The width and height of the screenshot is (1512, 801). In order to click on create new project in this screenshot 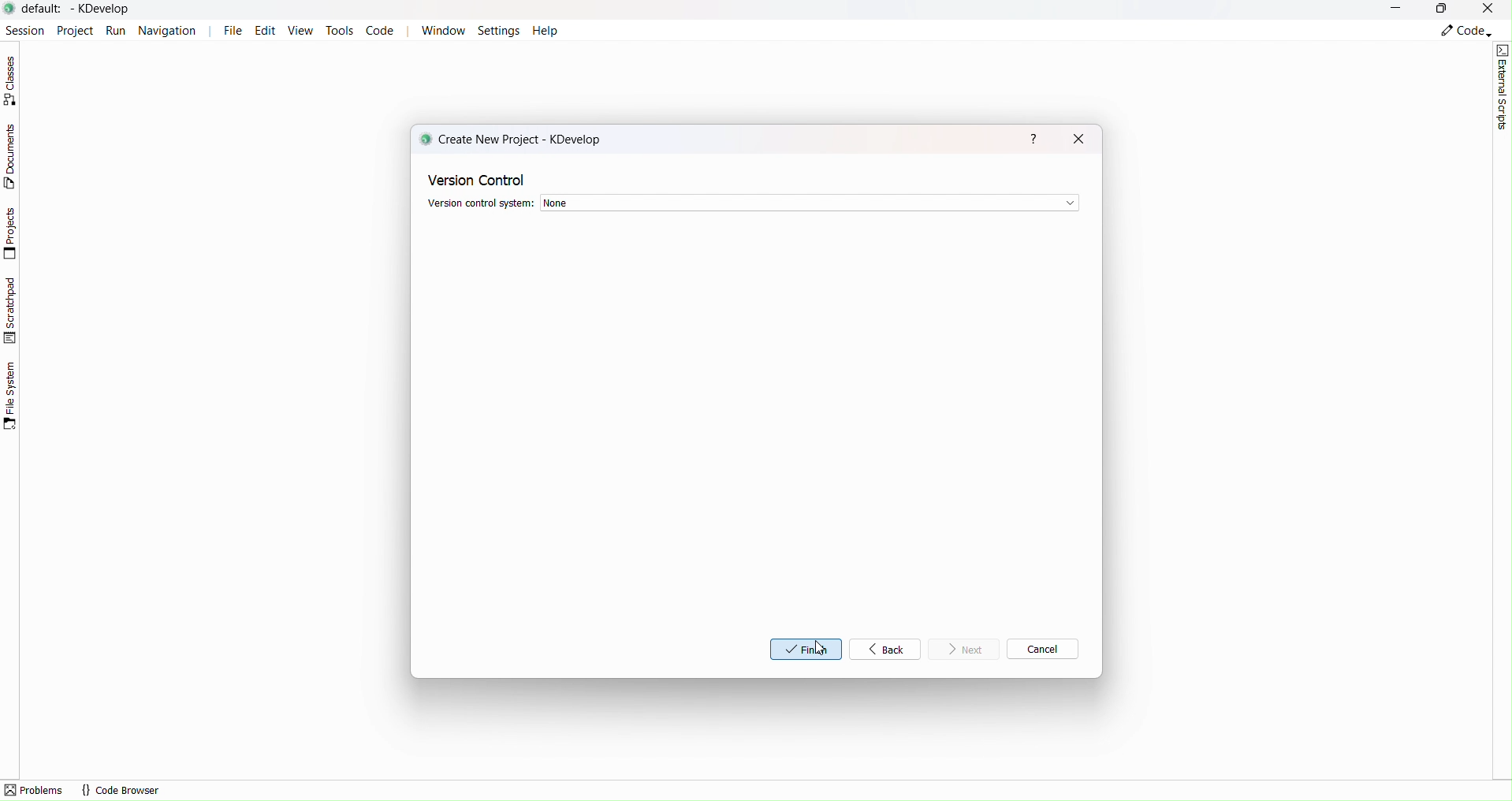, I will do `click(510, 139)`.